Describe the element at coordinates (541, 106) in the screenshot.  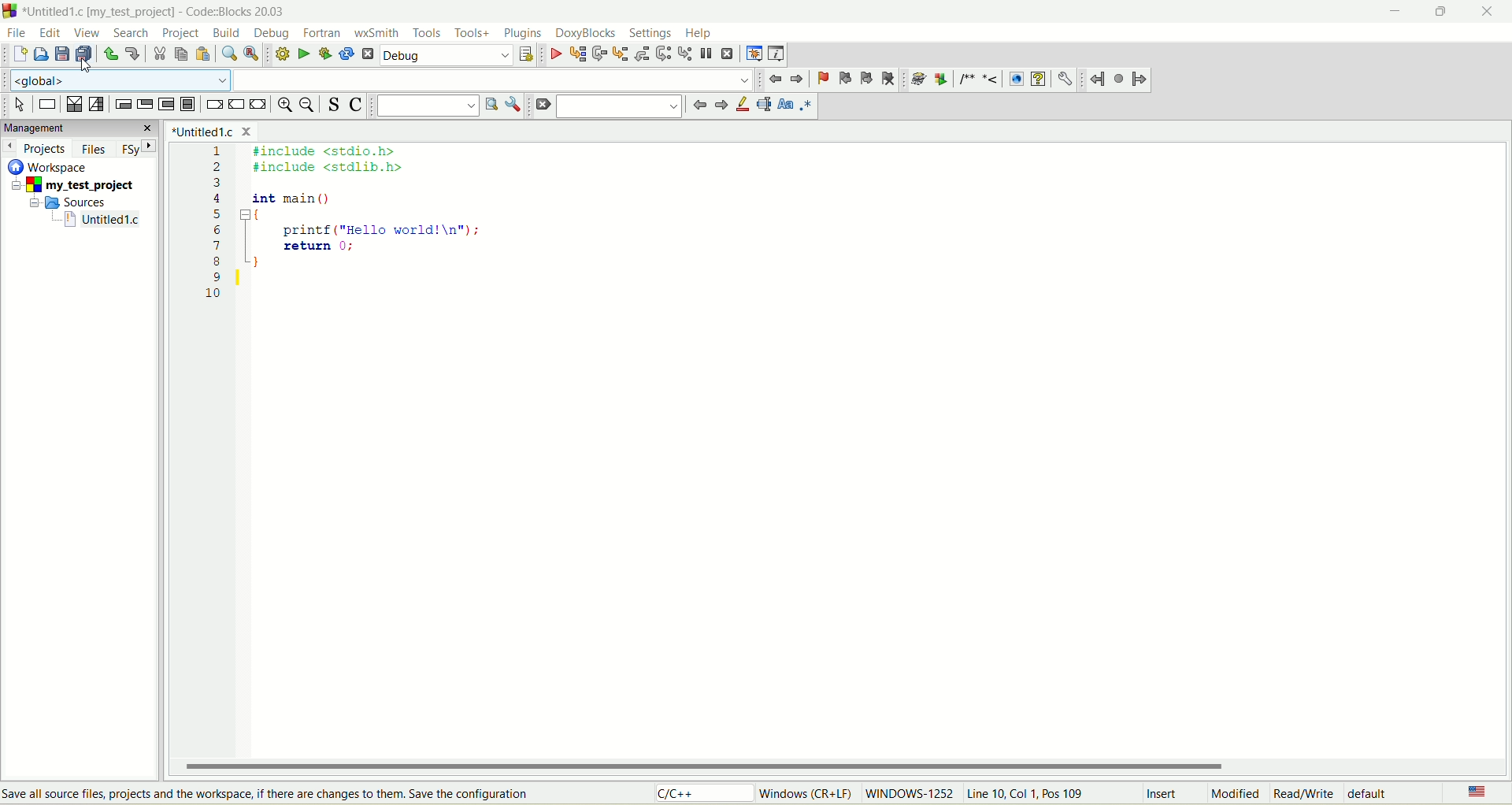
I see `clear` at that location.